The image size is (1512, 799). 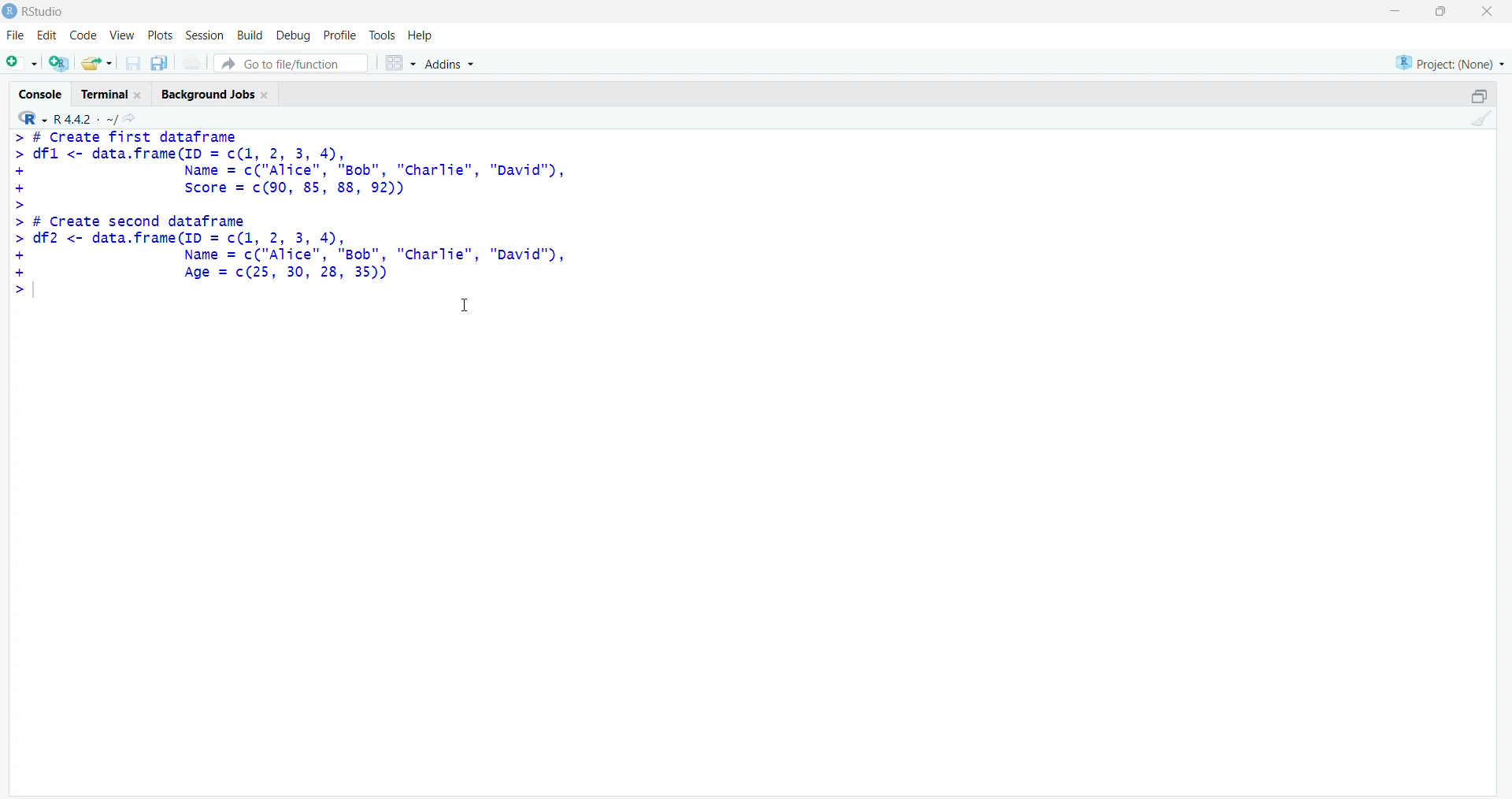 I want to click on logo, so click(x=11, y=12).